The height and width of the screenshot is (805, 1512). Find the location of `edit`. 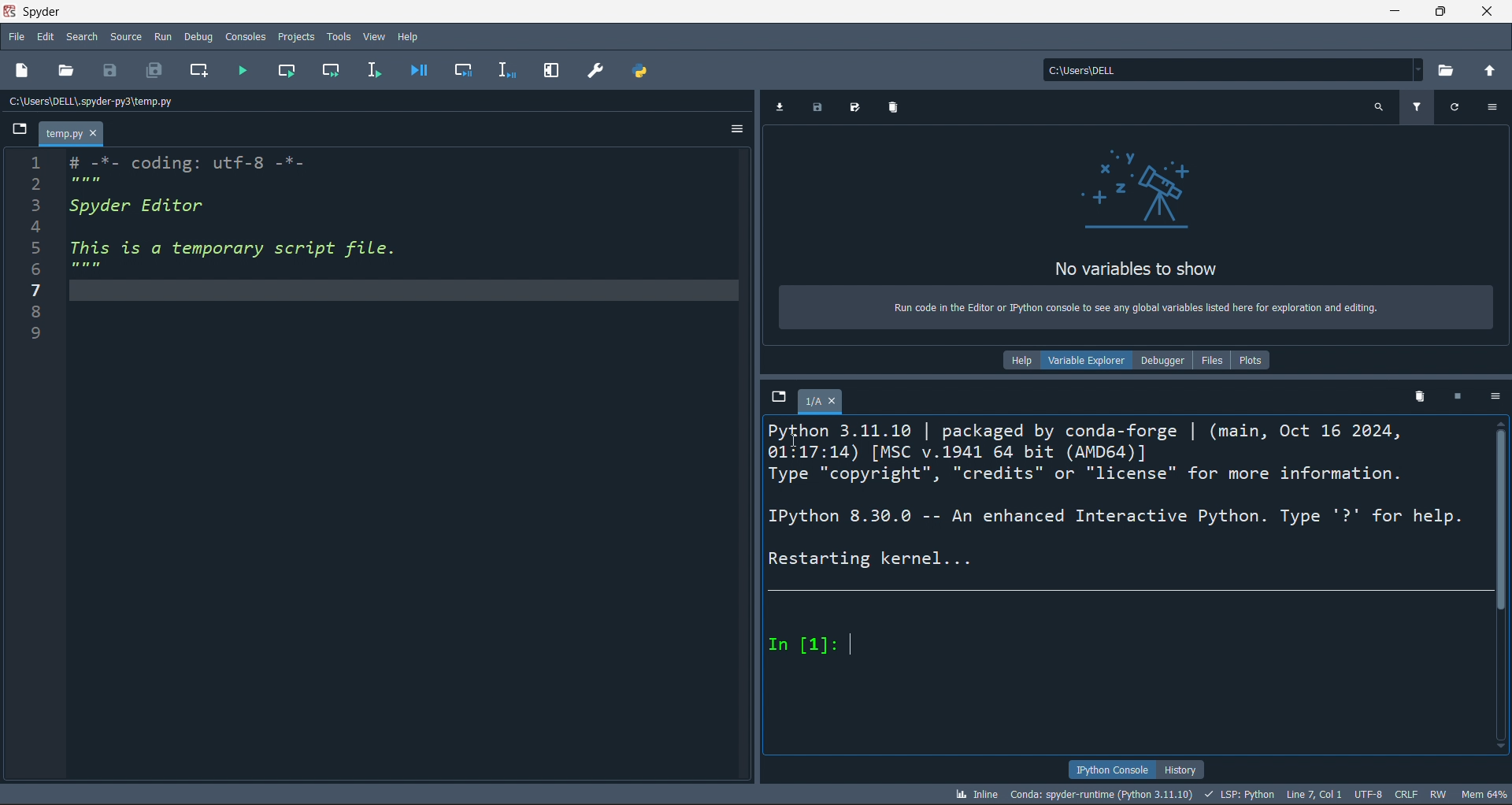

edit is located at coordinates (45, 39).